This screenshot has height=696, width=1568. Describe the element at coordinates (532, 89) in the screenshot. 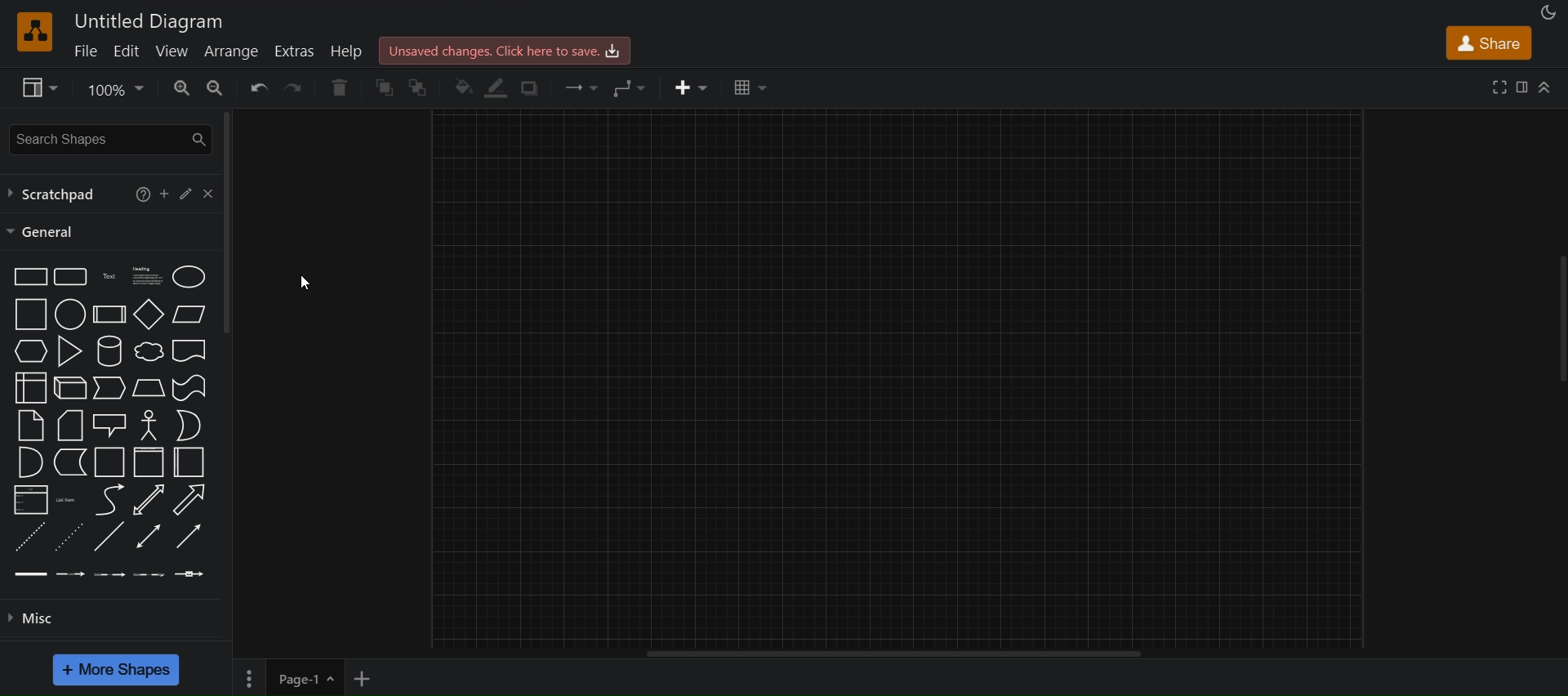

I see `shadow` at that location.